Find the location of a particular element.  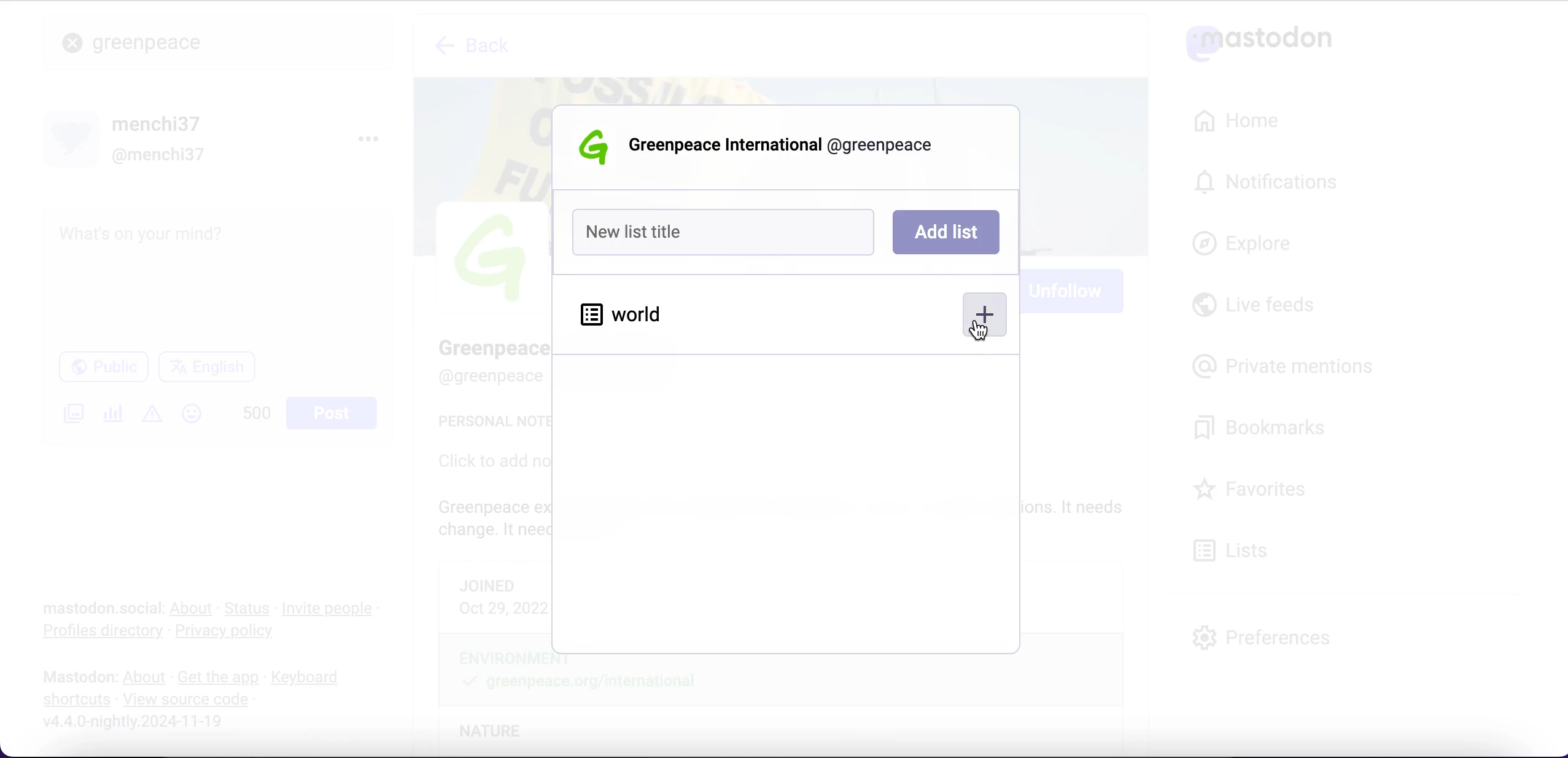

user name is located at coordinates (128, 138).